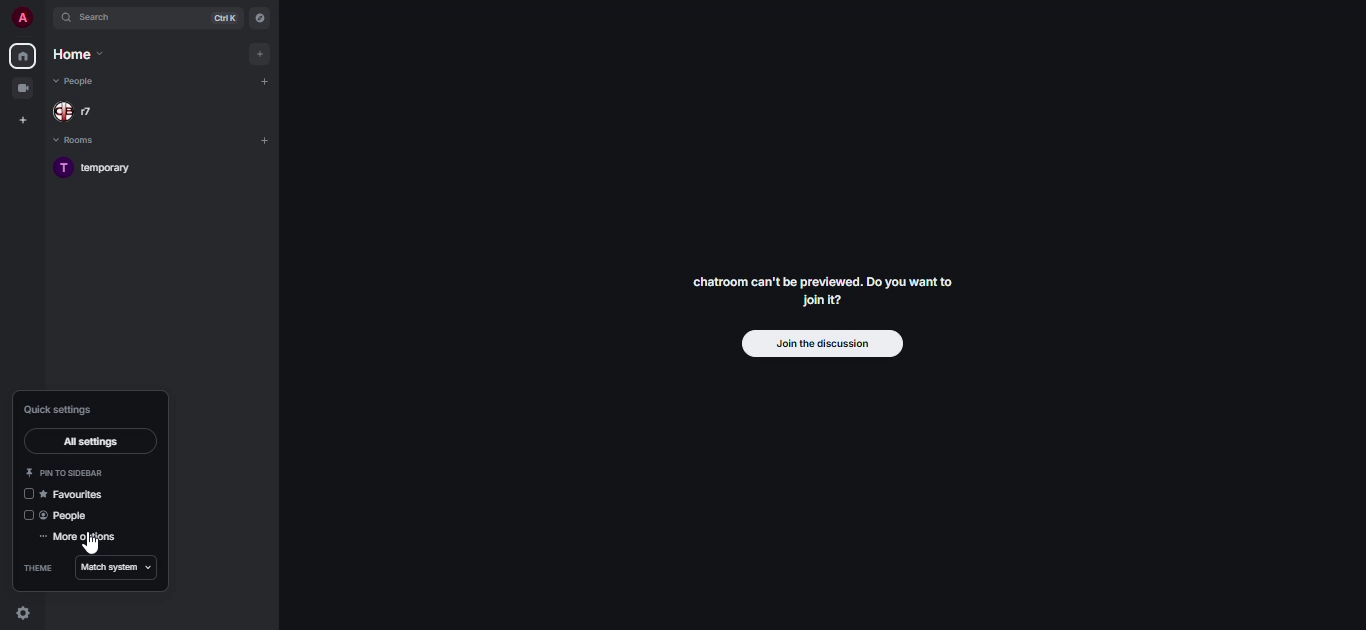  Describe the element at coordinates (89, 141) in the screenshot. I see `rooms` at that location.